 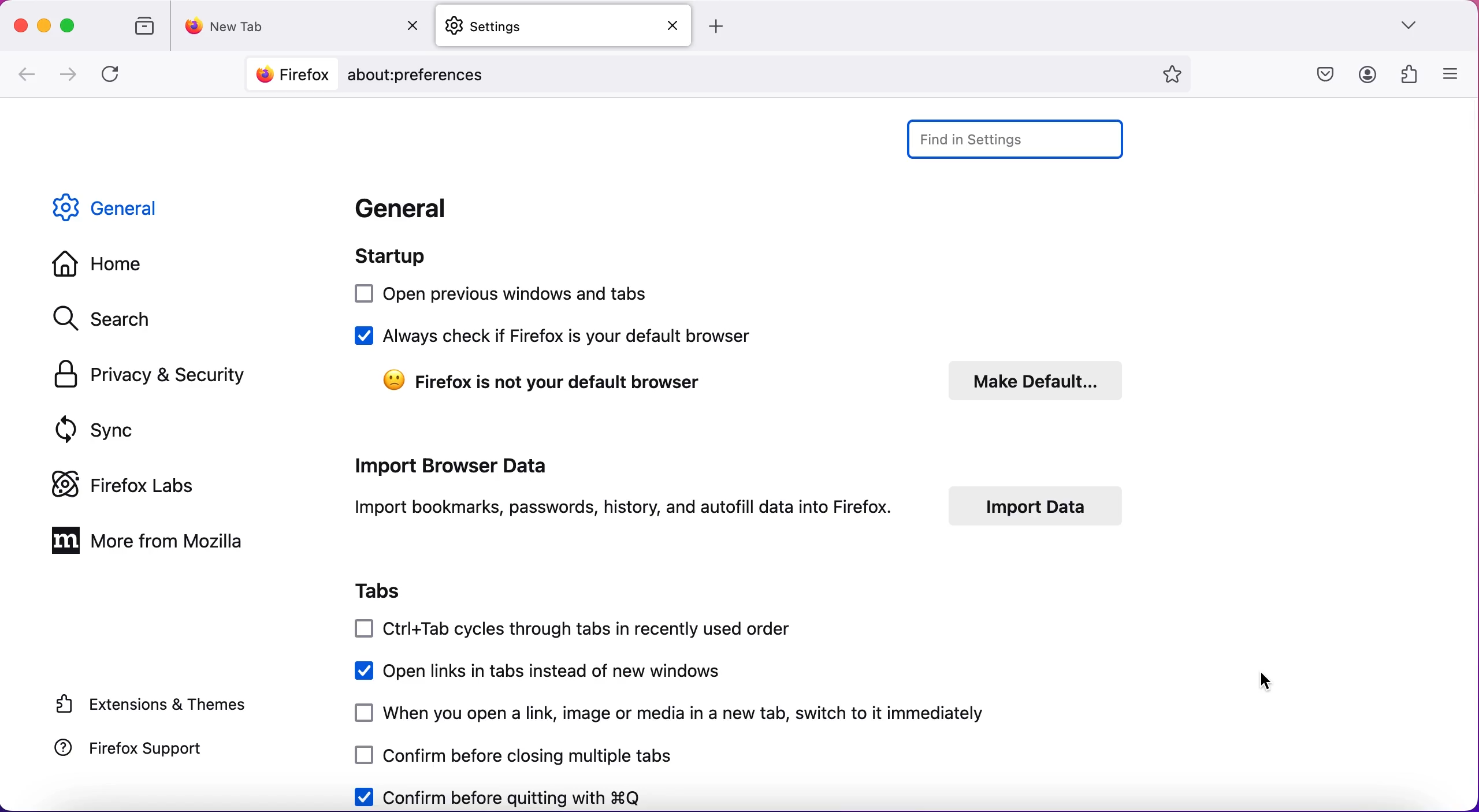 What do you see at coordinates (131, 489) in the screenshot?
I see `firefox labs` at bounding box center [131, 489].